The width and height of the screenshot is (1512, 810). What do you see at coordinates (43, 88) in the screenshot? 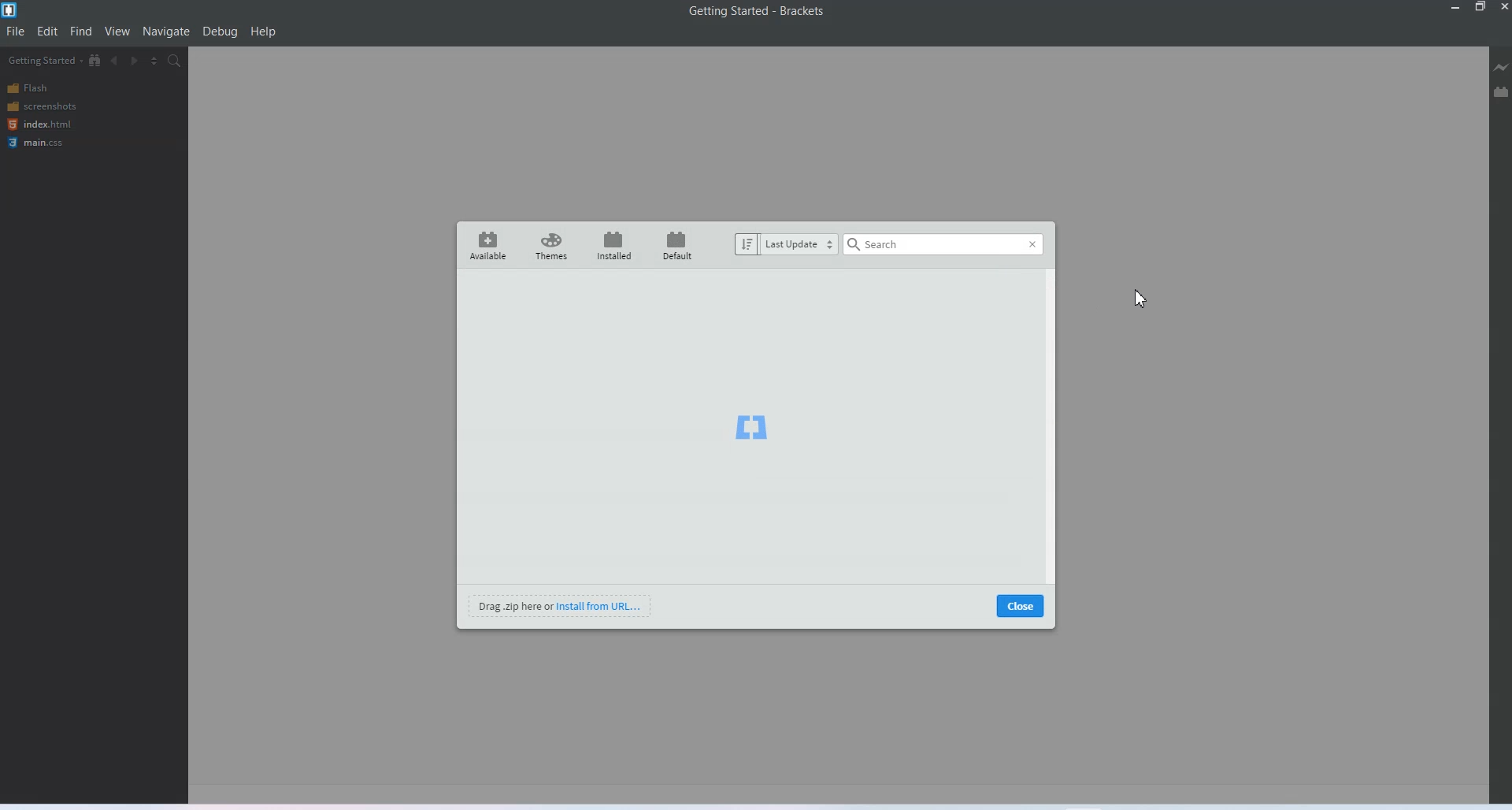
I see `Flash` at bounding box center [43, 88].